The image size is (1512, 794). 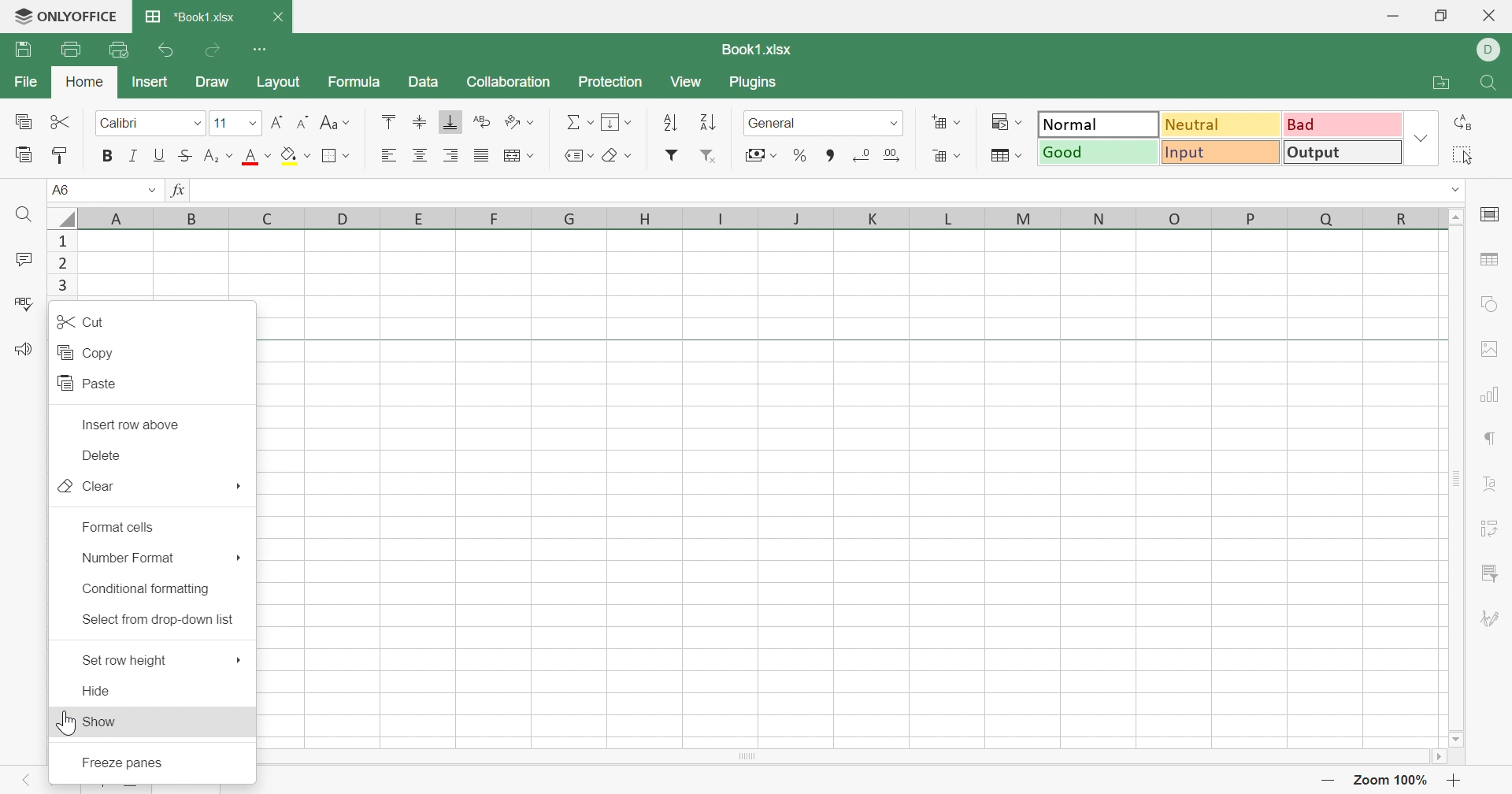 I want to click on table settings, so click(x=1490, y=259).